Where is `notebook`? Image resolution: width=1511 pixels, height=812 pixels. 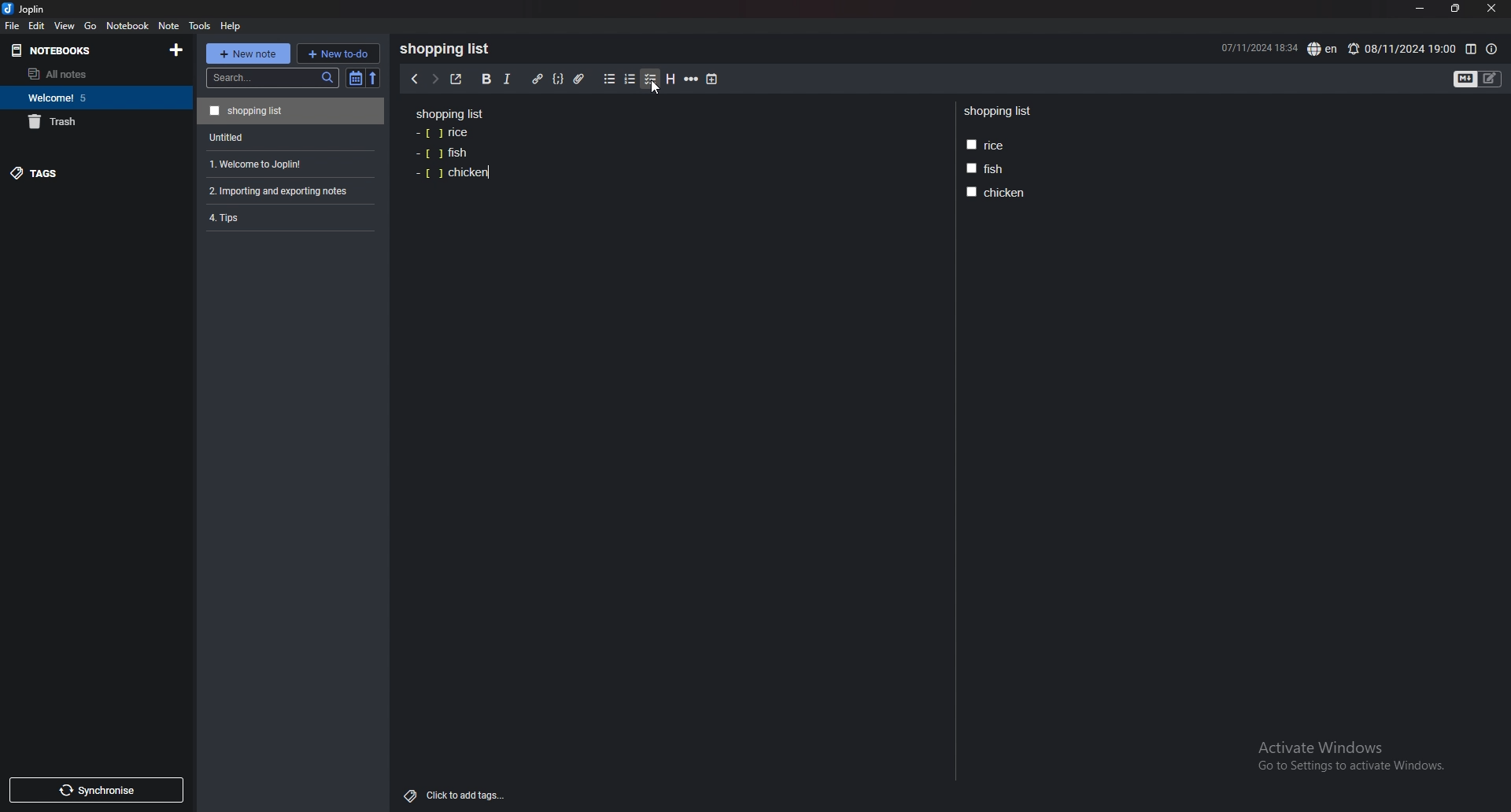
notebook is located at coordinates (128, 25).